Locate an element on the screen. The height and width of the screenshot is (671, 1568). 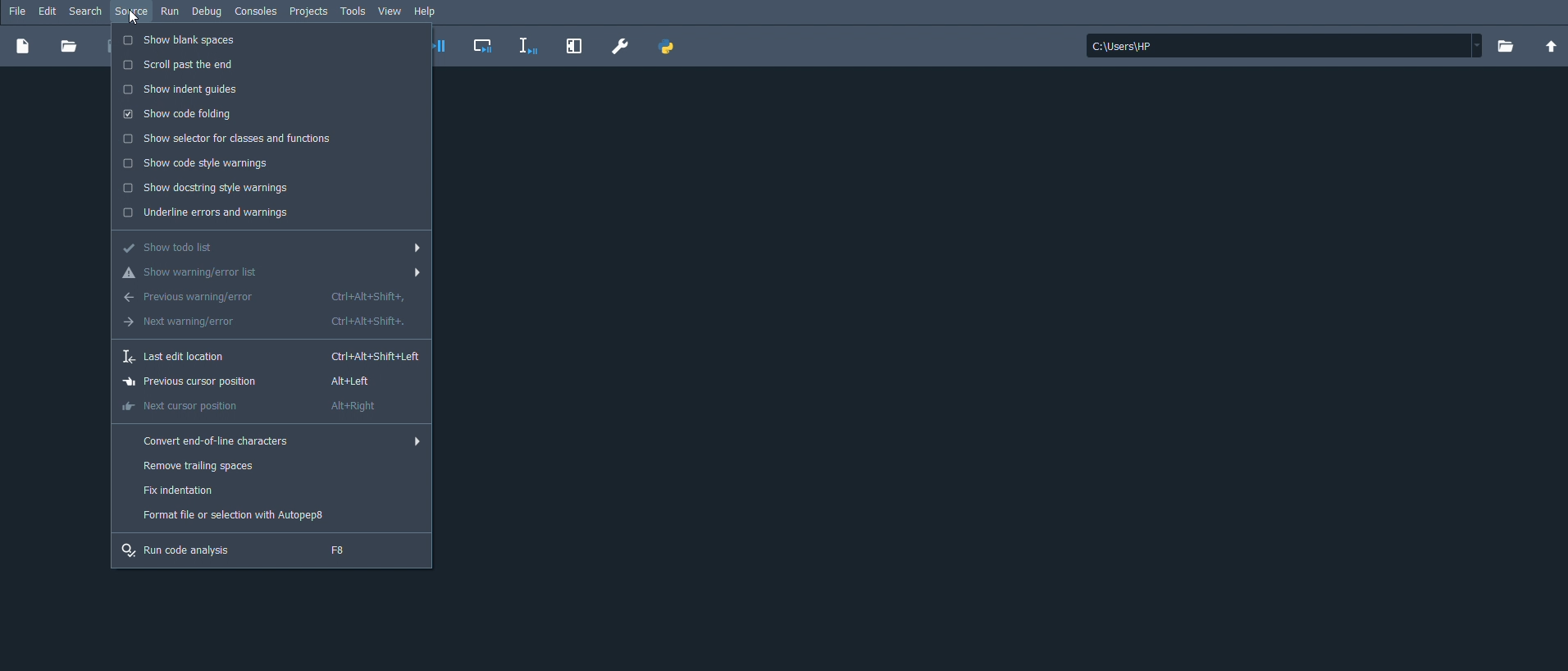
Next cursor position is located at coordinates (255, 407).